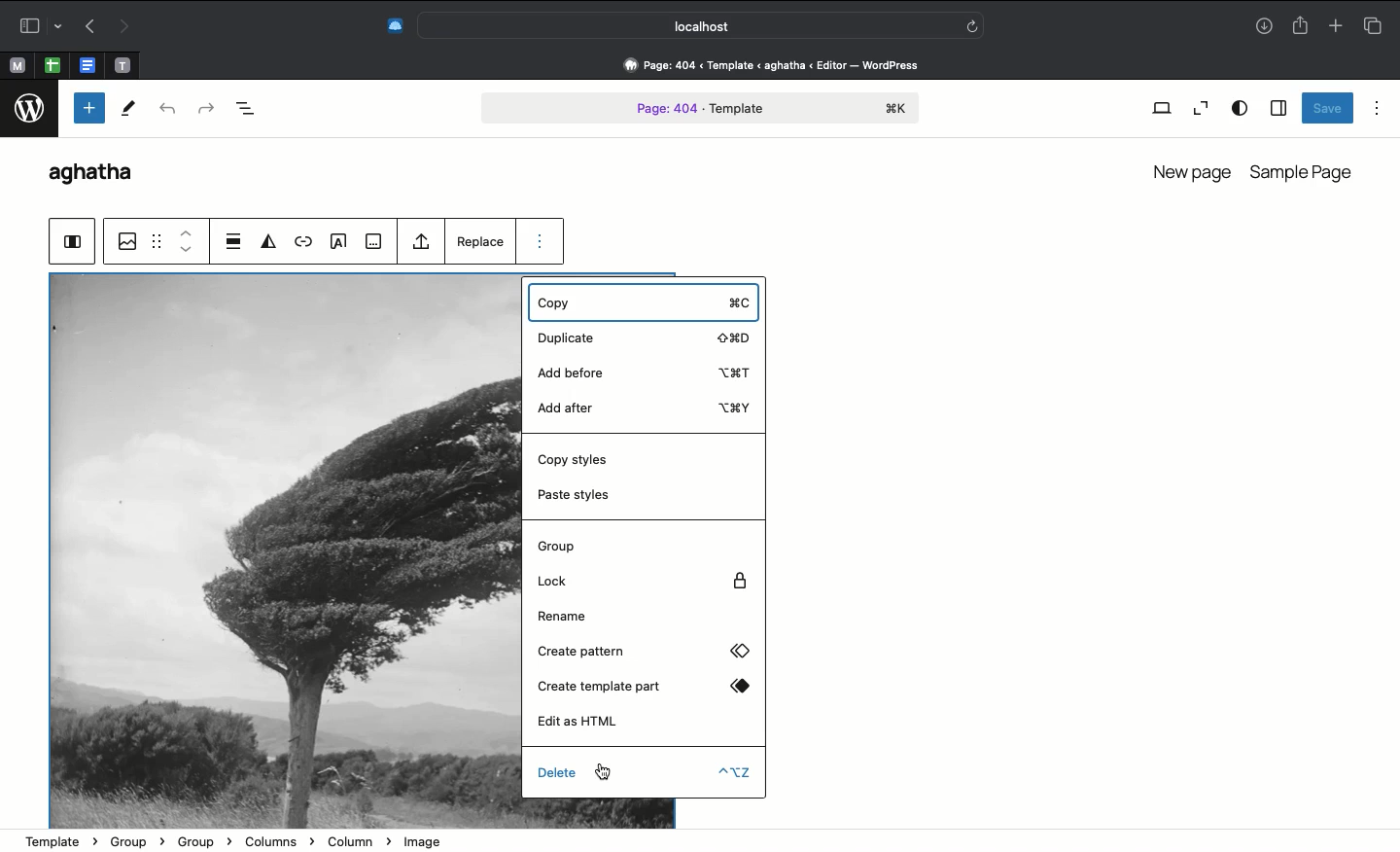 This screenshot has height=852, width=1400. I want to click on Scrollbar, so click(1391, 333).